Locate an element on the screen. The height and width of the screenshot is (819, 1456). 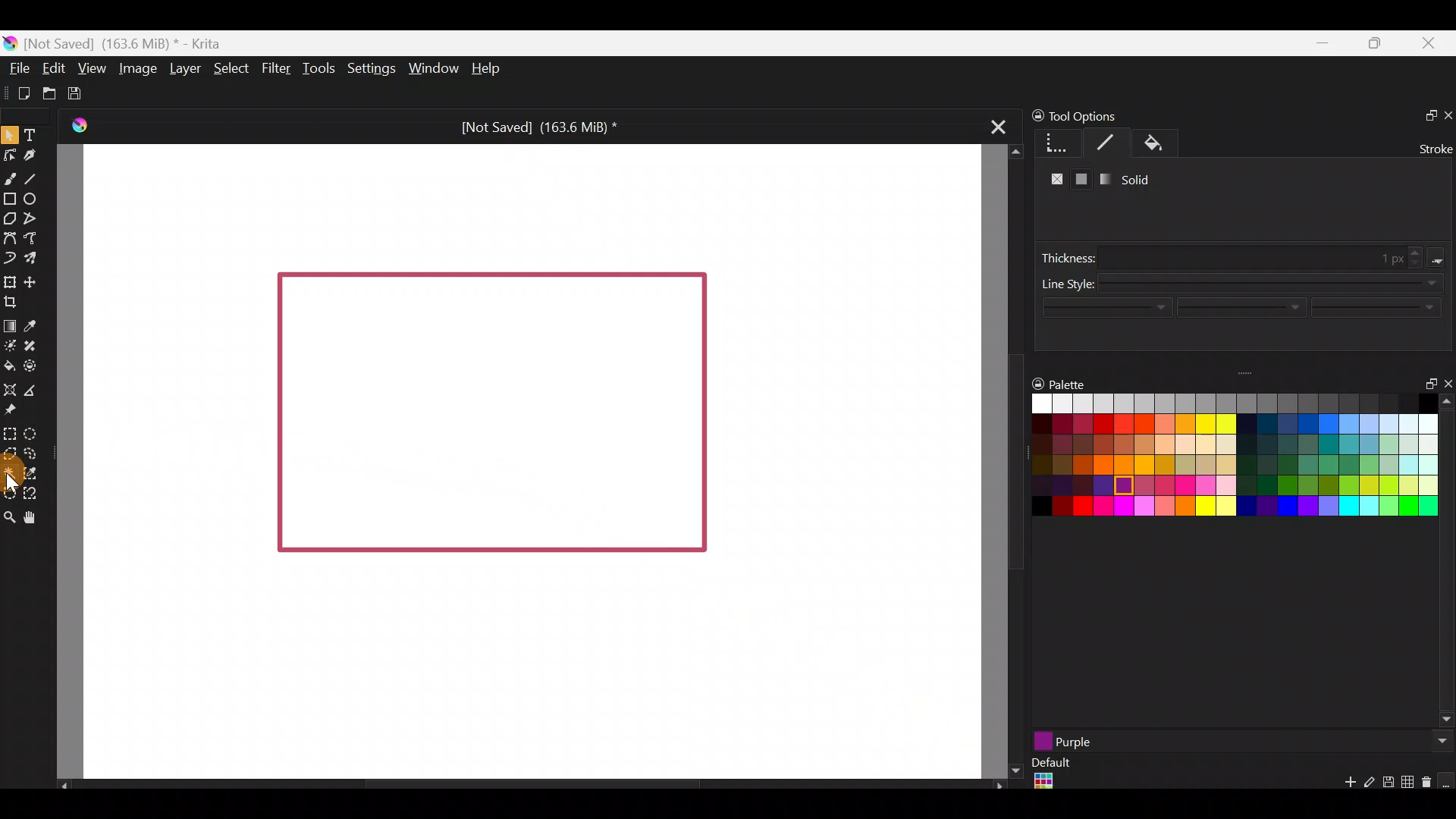
Scroll bar is located at coordinates (1447, 563).